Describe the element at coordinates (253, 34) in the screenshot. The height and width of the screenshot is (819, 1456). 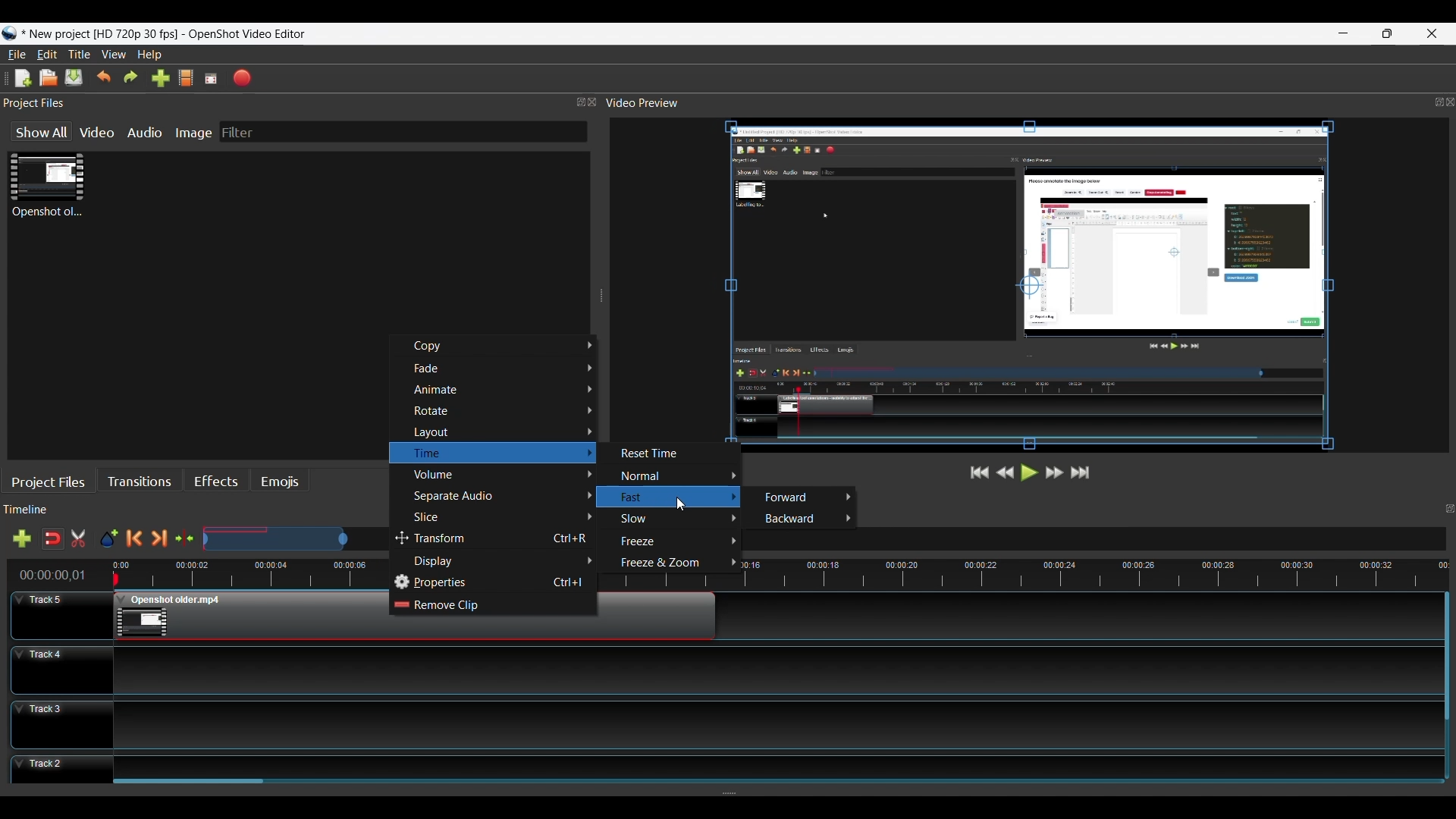
I see `OpenShot video editor` at that location.